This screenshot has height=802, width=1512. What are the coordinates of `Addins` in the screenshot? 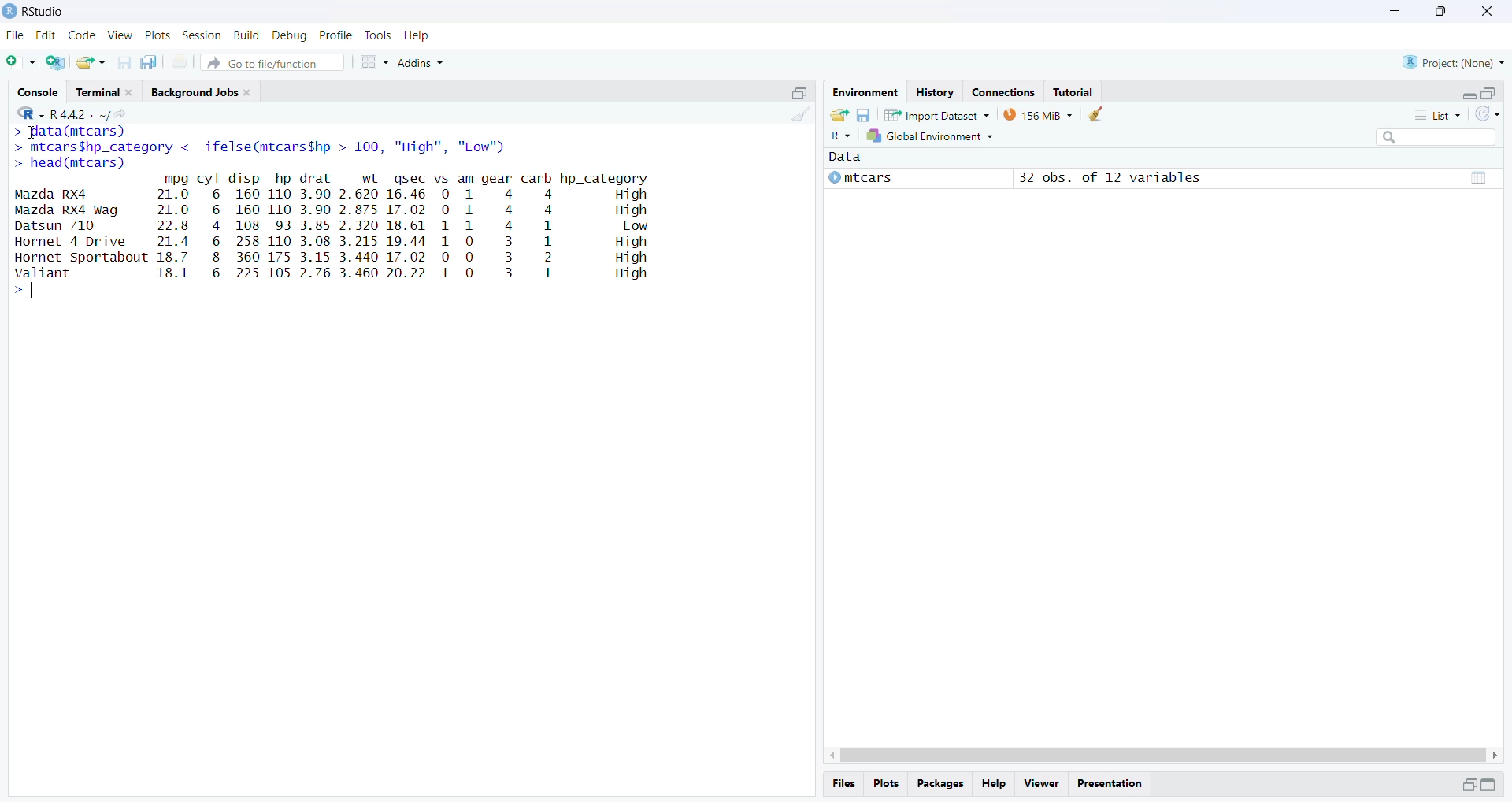 It's located at (425, 59).